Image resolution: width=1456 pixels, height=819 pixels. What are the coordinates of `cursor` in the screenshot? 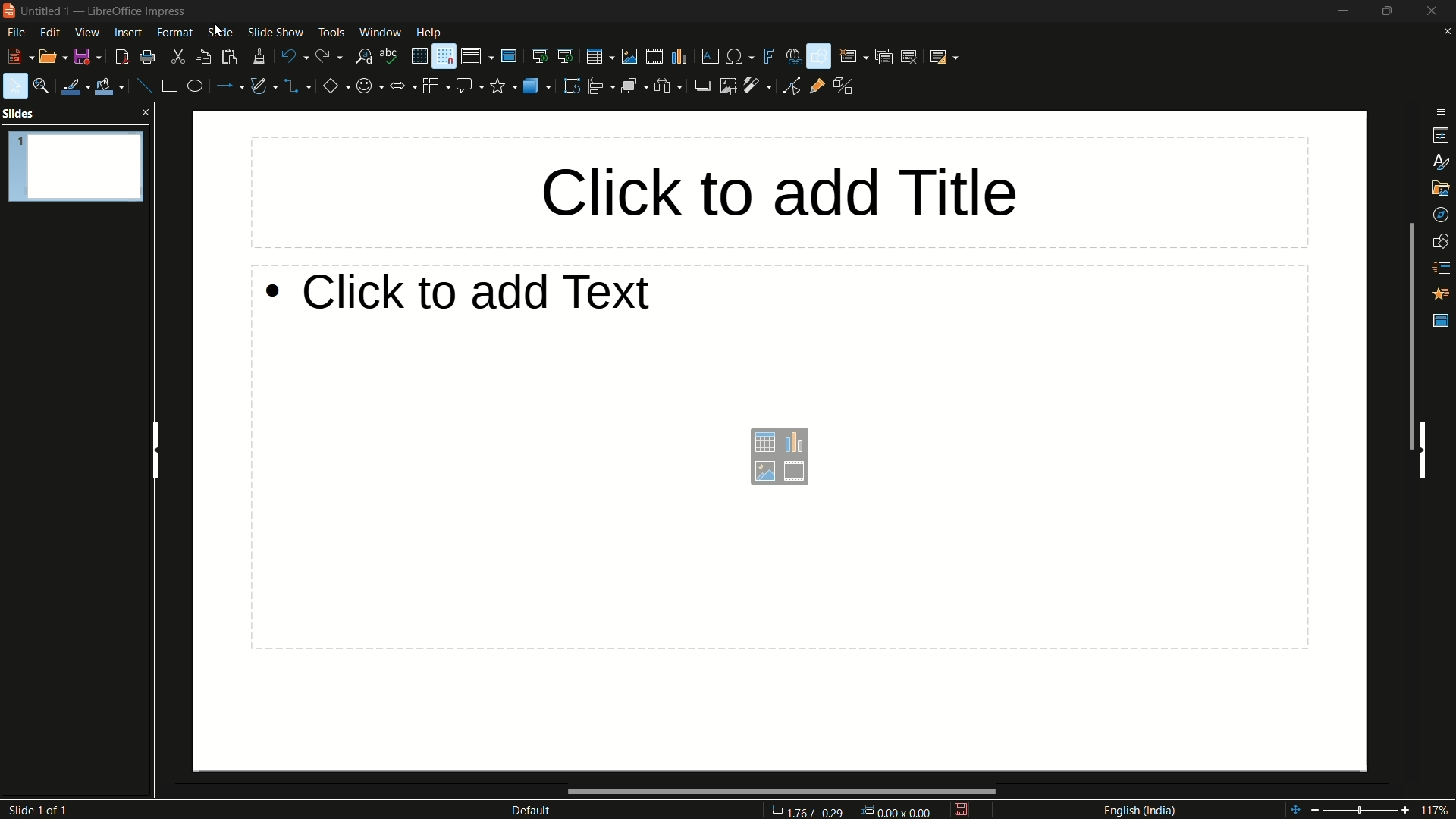 It's located at (218, 30).